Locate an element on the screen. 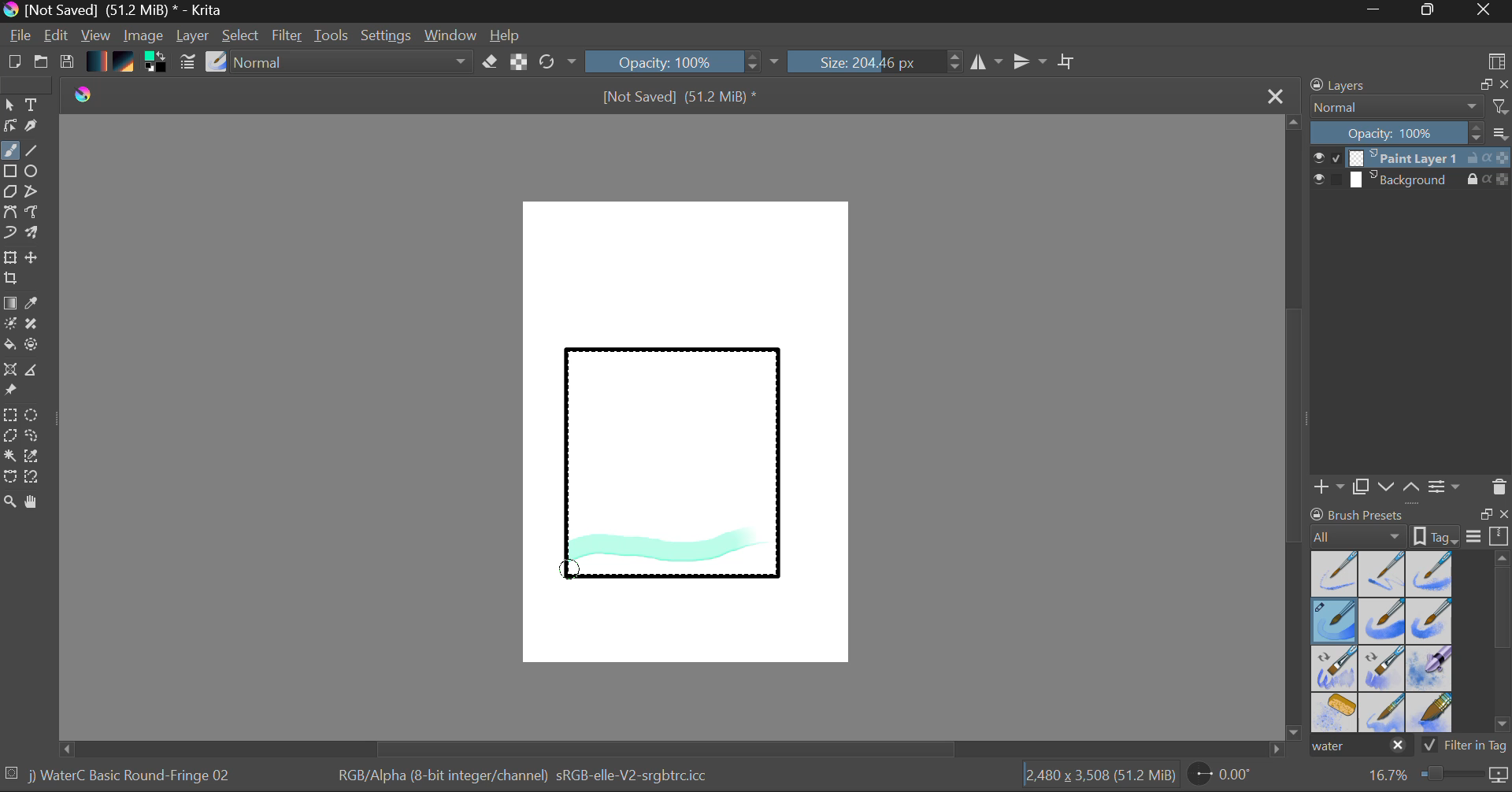 The height and width of the screenshot is (792, 1512). Document Dimensions is located at coordinates (1099, 778).